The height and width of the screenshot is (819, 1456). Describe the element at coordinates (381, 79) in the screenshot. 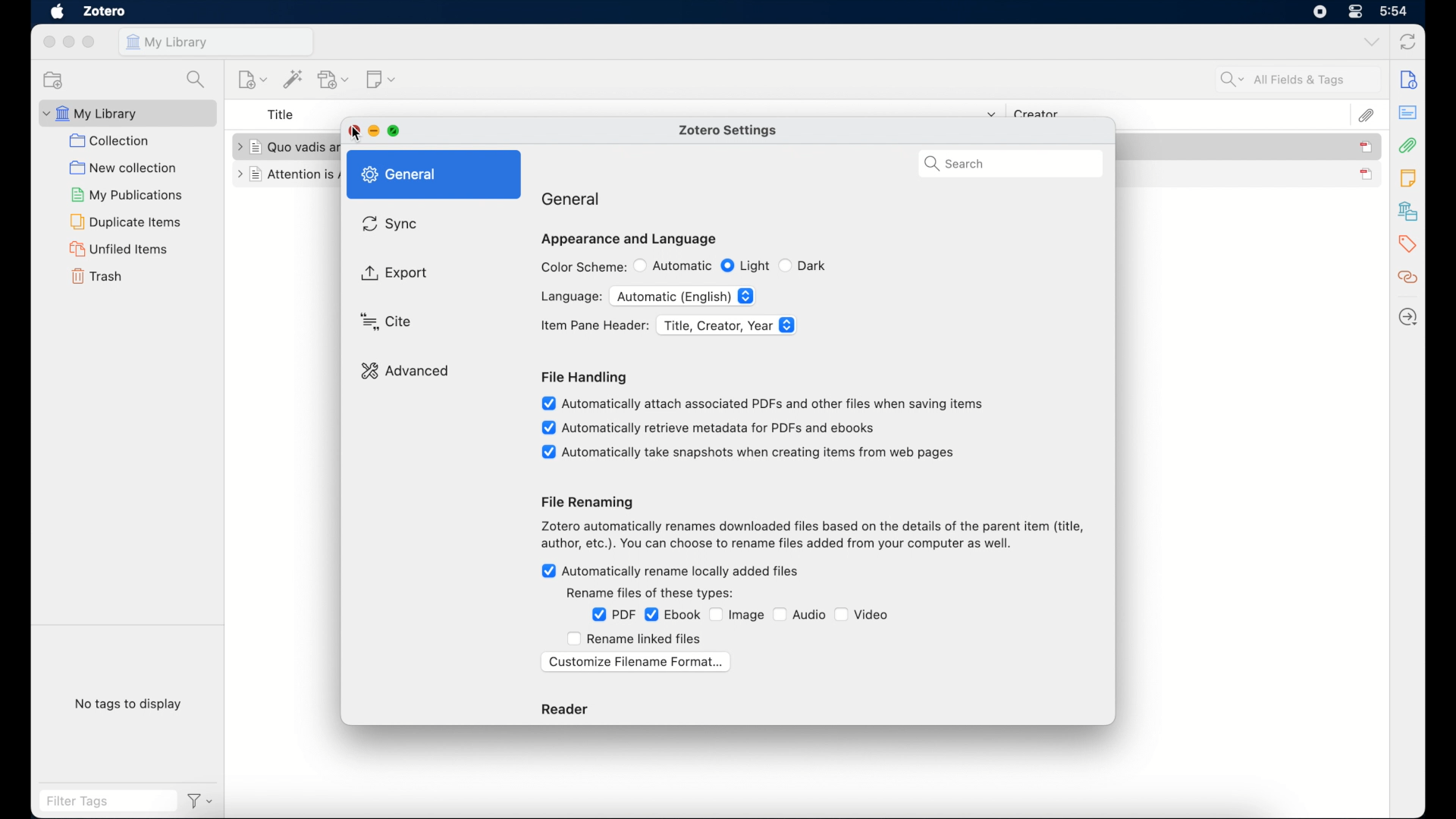

I see `new note` at that location.